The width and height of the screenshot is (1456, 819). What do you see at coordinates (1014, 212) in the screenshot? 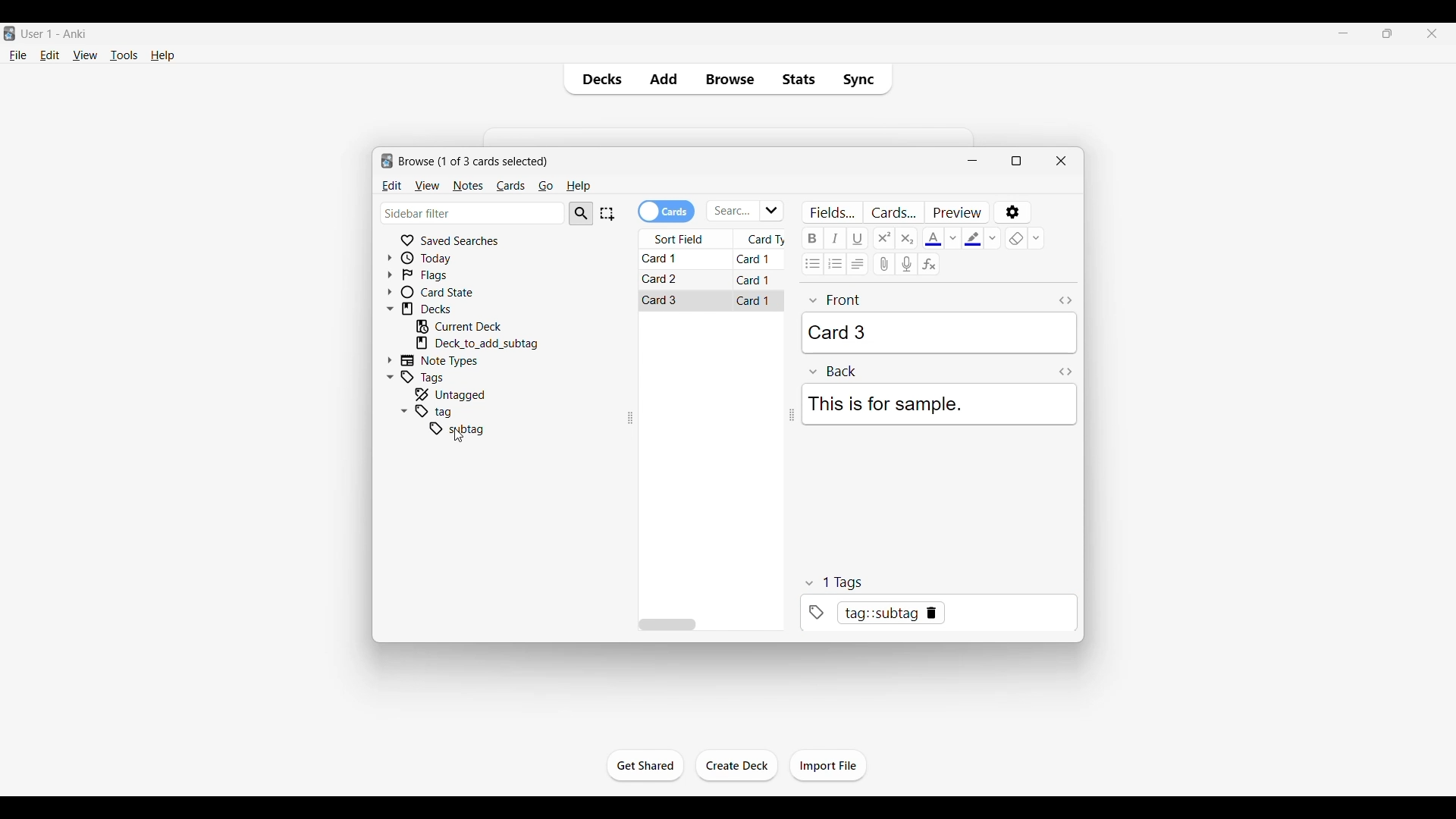
I see `Options` at bounding box center [1014, 212].